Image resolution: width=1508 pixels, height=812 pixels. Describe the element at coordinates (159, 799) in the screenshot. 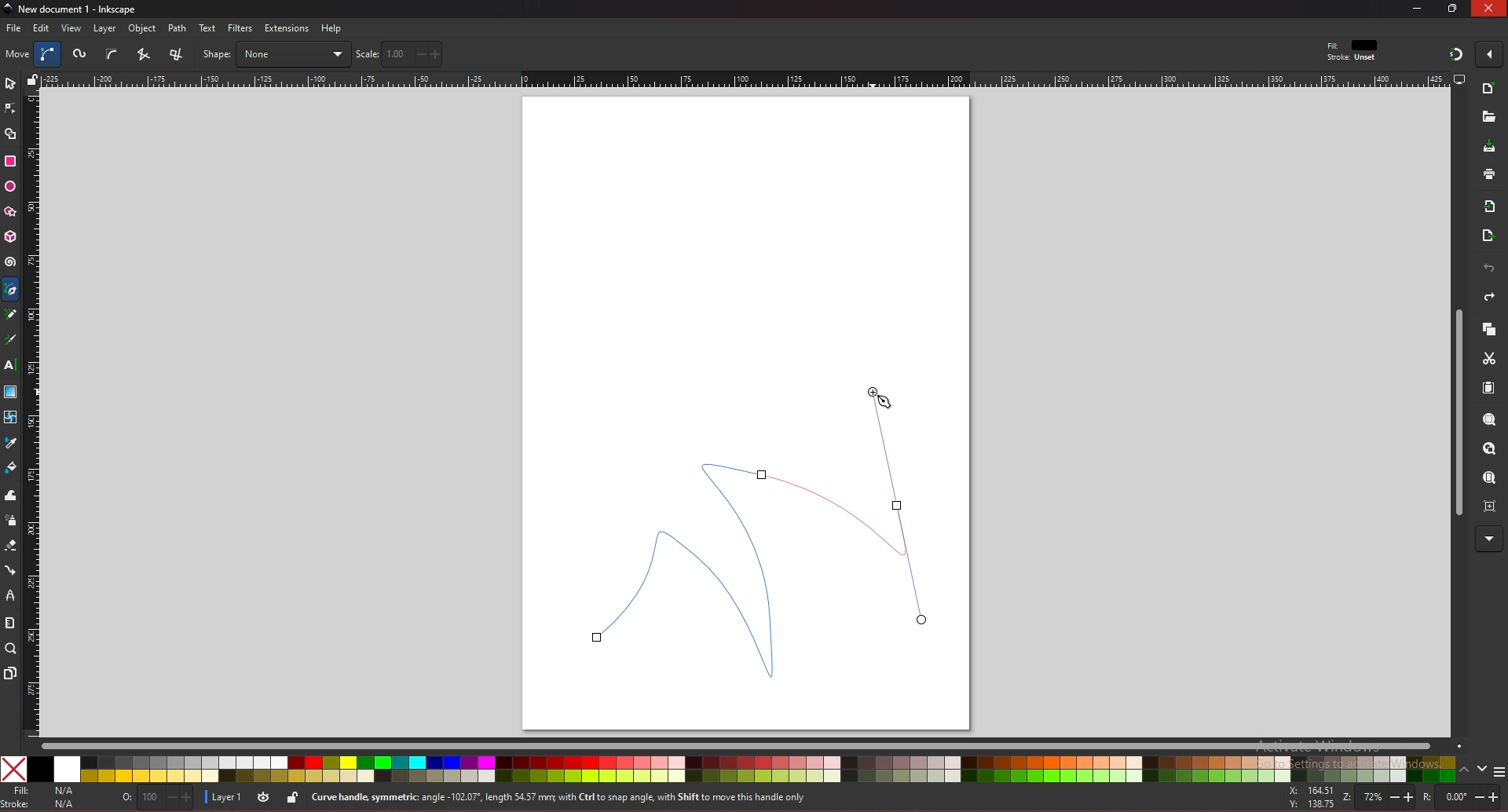

I see `opacity` at that location.